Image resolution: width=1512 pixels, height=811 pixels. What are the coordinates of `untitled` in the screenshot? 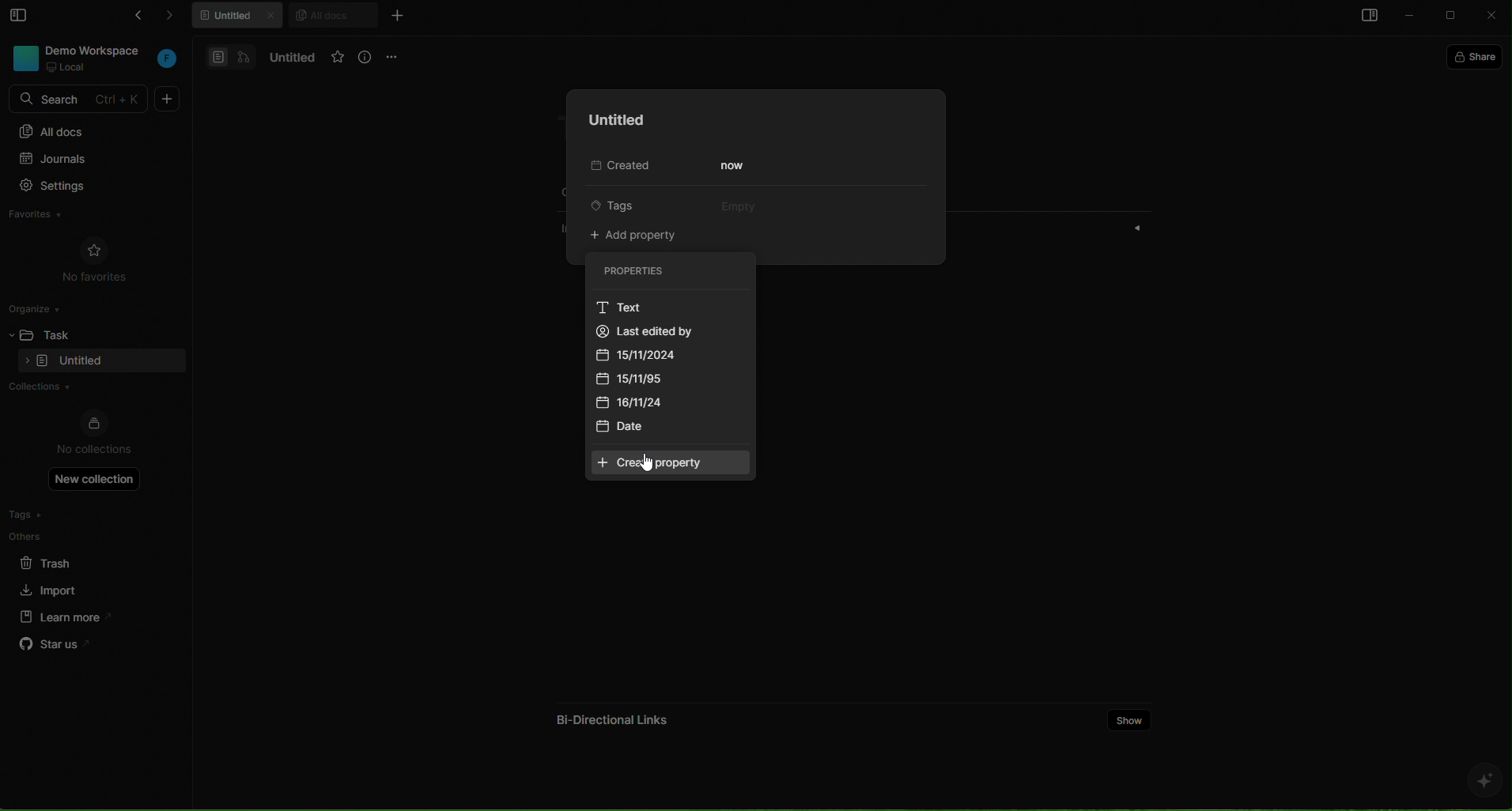 It's located at (240, 17).